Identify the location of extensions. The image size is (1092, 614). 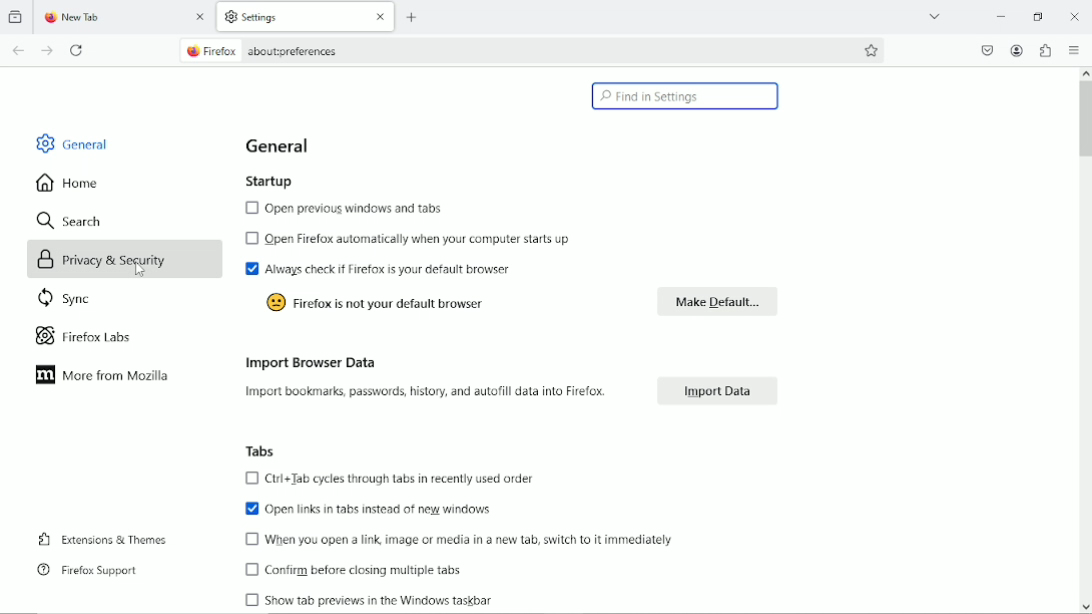
(1045, 50).